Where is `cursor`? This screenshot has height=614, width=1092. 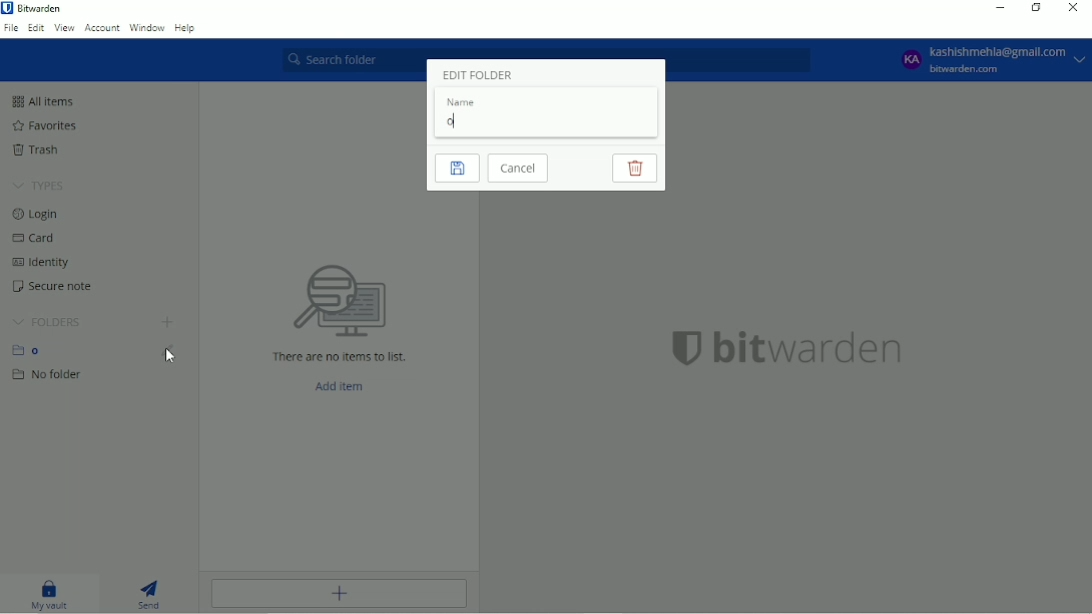 cursor is located at coordinates (169, 359).